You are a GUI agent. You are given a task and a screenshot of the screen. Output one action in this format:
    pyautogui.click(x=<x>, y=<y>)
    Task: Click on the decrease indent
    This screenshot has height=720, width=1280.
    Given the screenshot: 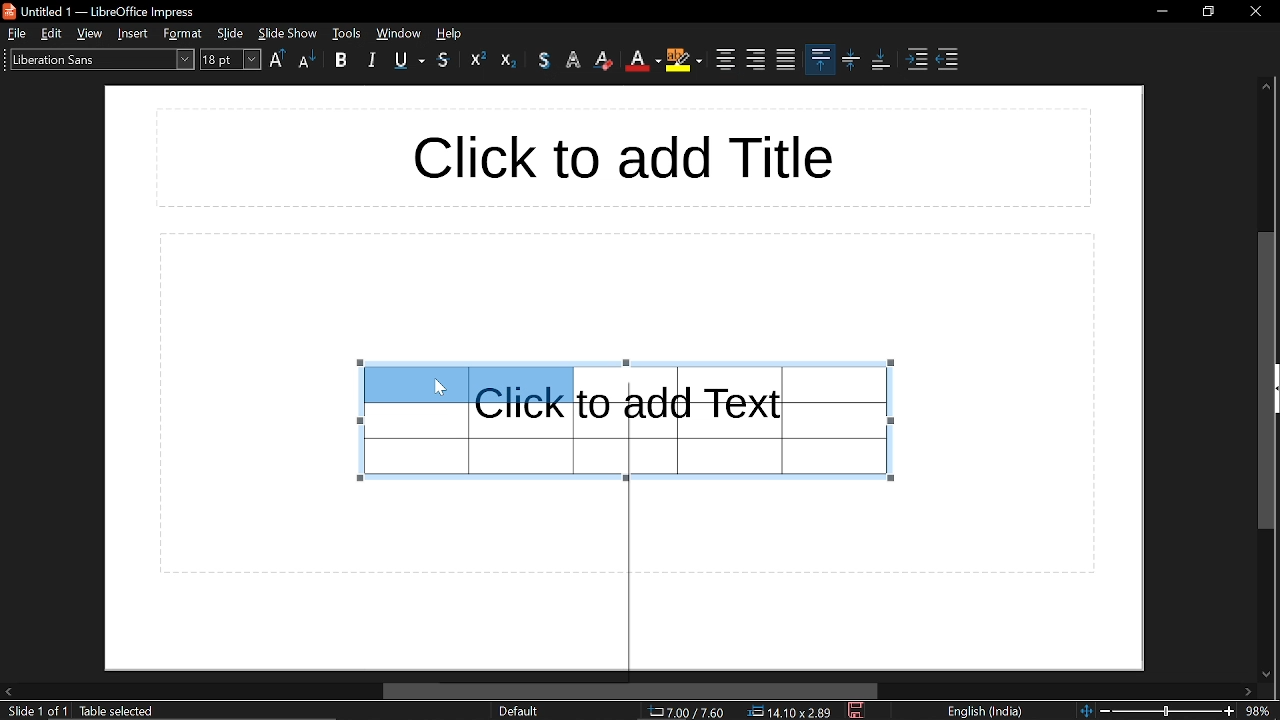 What is the action you would take?
    pyautogui.click(x=946, y=61)
    